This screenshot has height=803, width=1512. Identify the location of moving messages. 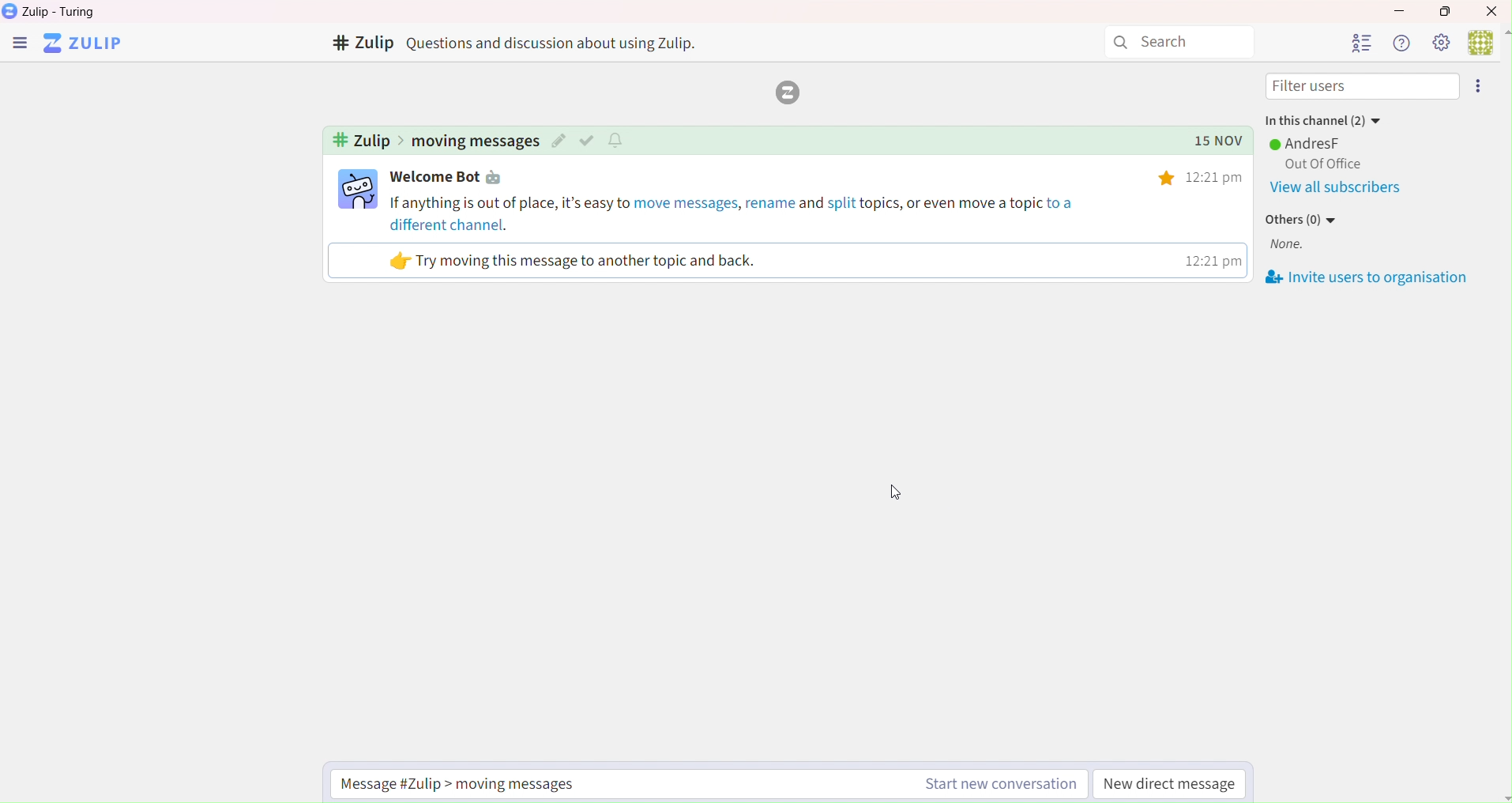
(475, 141).